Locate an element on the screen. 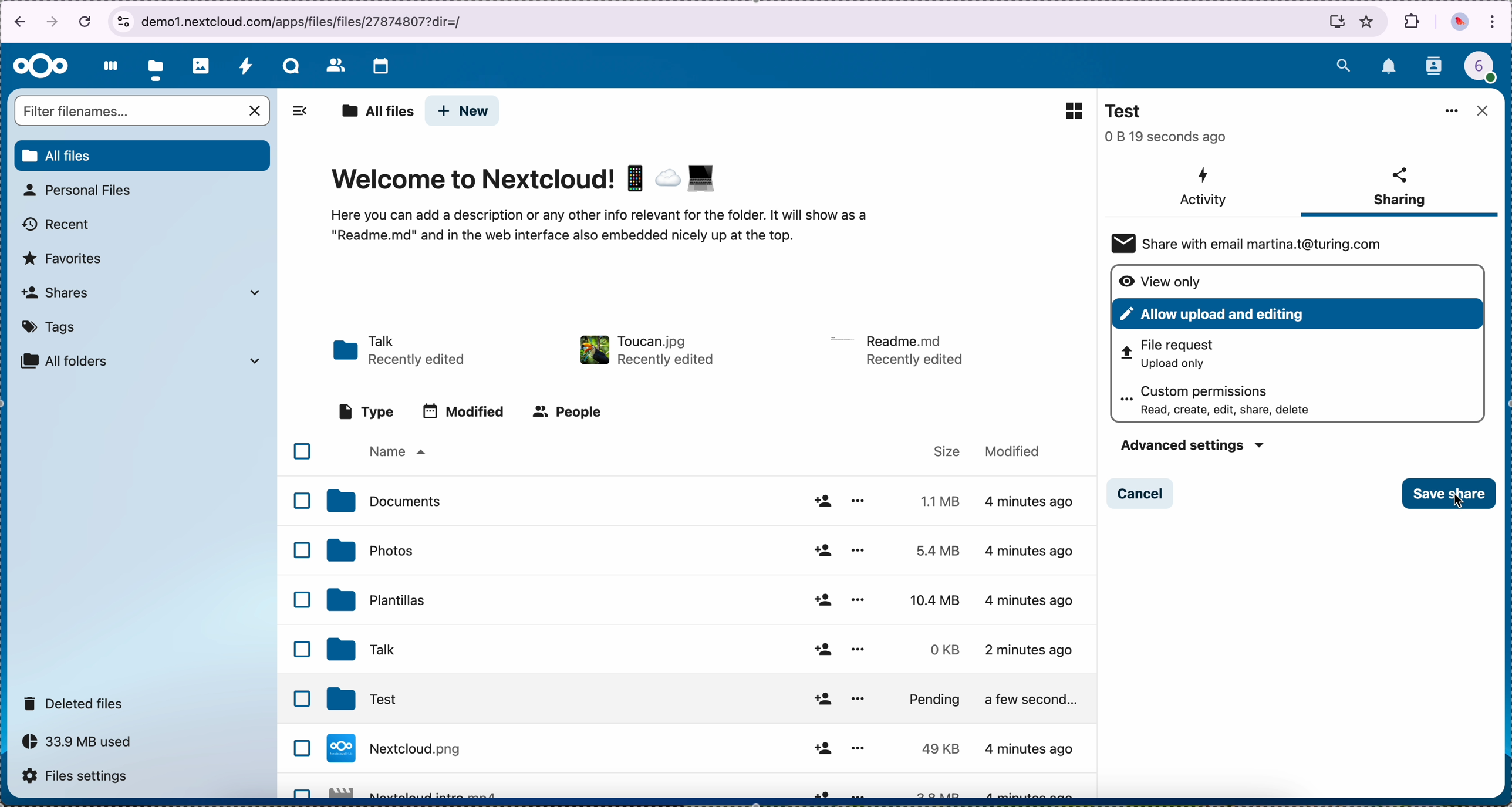  talk folder is located at coordinates (401, 352).